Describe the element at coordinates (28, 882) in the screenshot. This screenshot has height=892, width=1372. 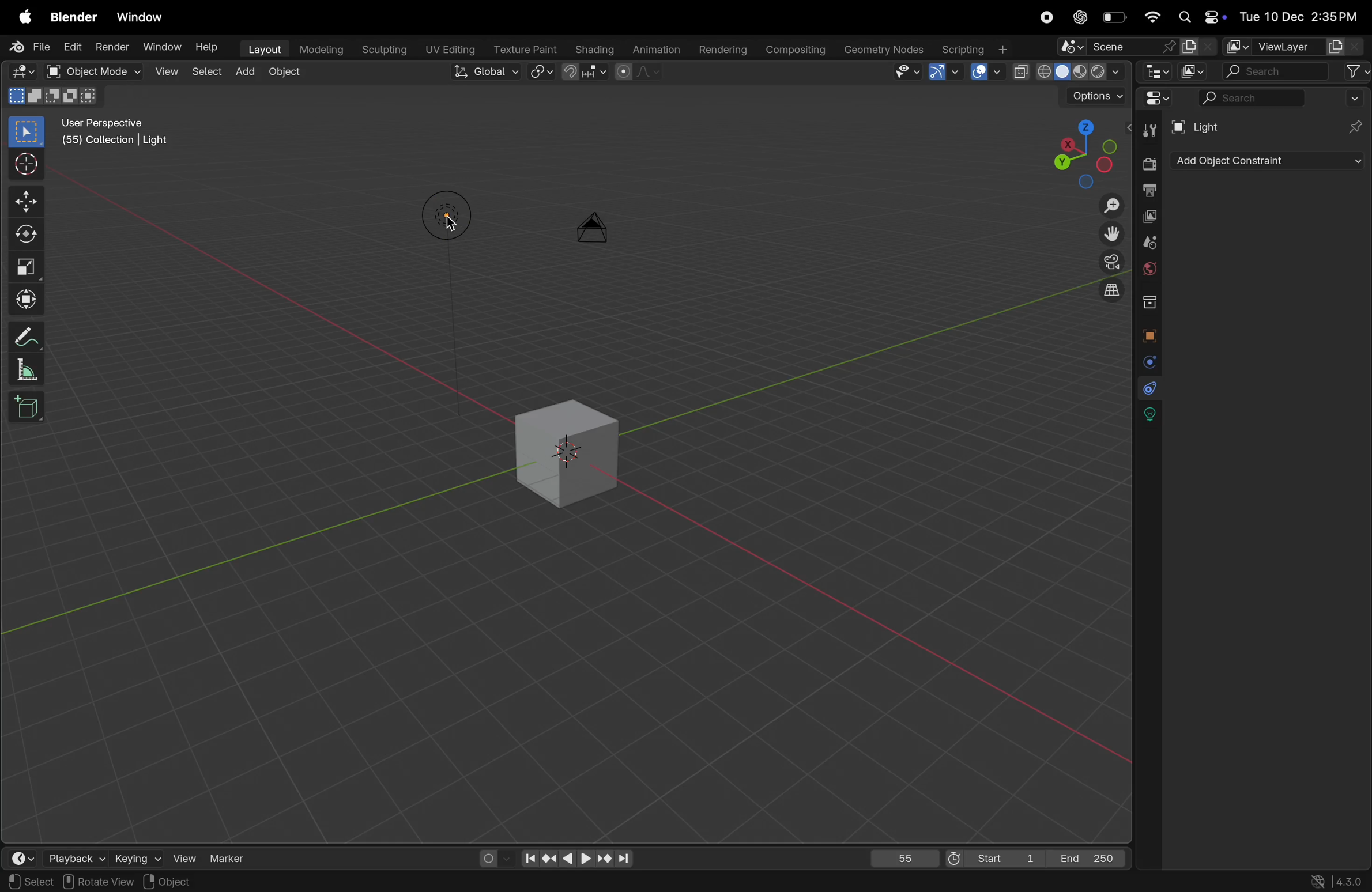
I see `select` at that location.